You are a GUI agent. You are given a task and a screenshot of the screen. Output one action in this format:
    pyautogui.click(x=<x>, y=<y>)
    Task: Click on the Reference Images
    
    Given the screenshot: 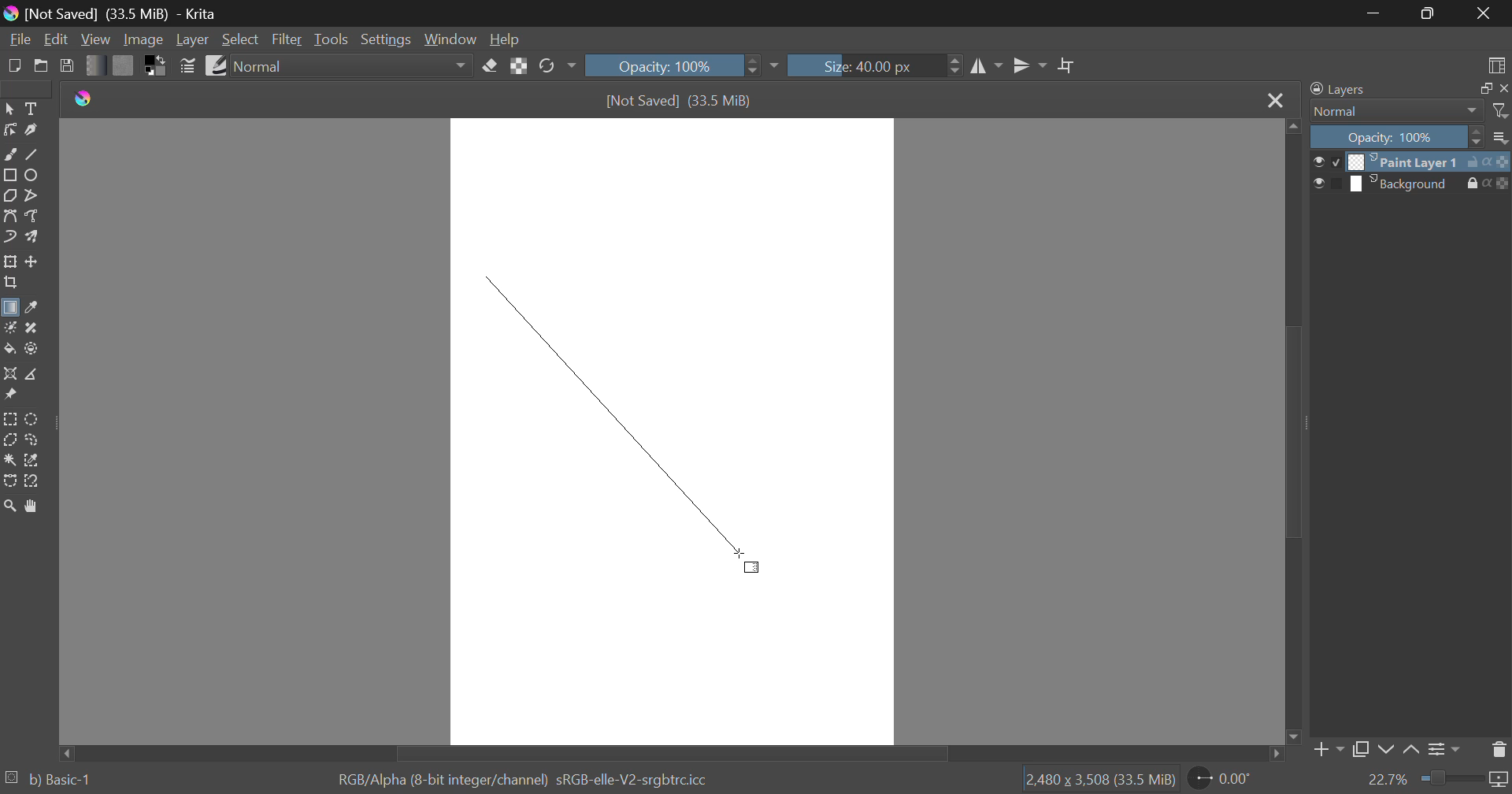 What is the action you would take?
    pyautogui.click(x=9, y=397)
    